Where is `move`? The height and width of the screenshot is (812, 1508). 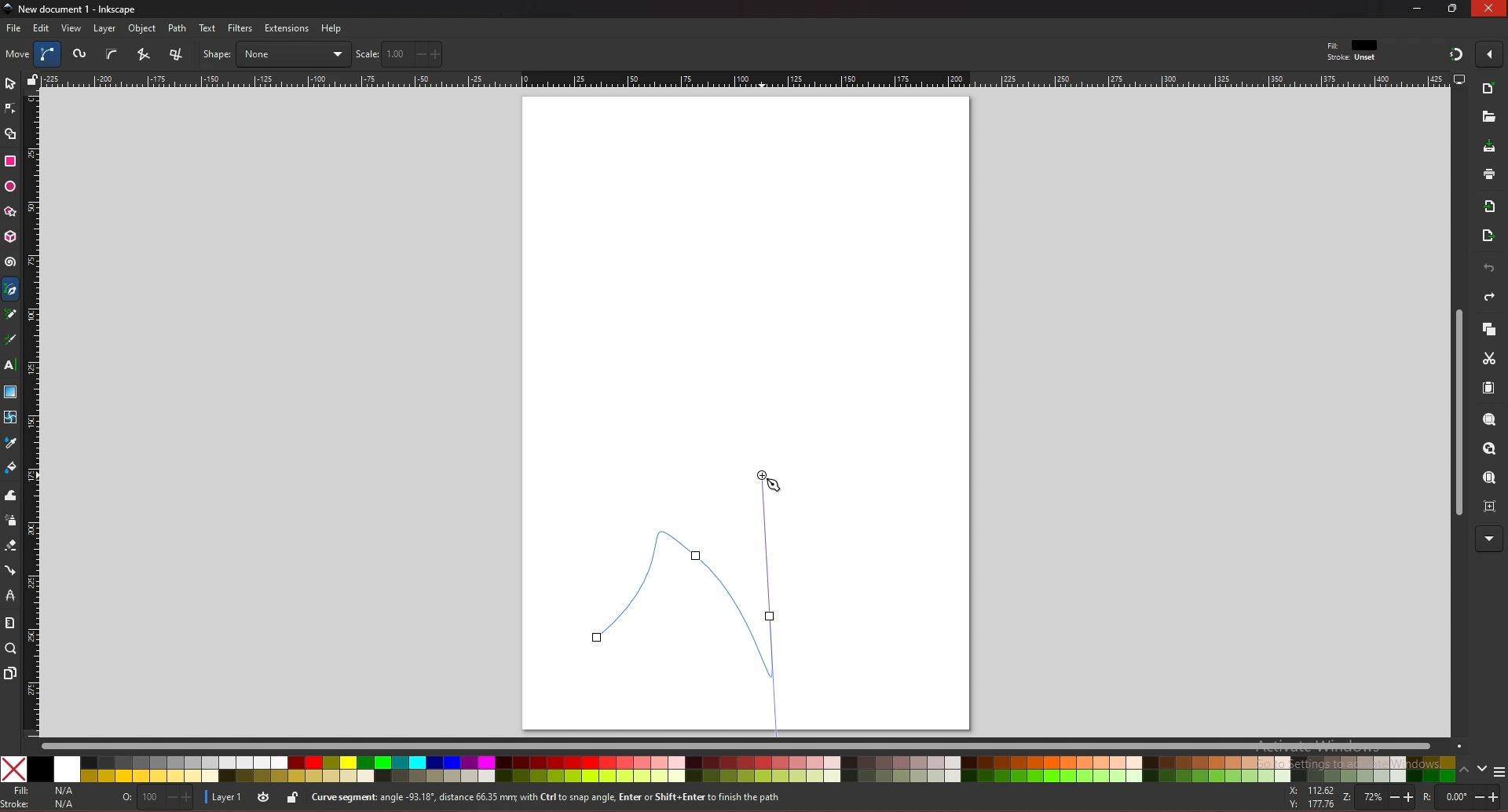
move is located at coordinates (18, 53).